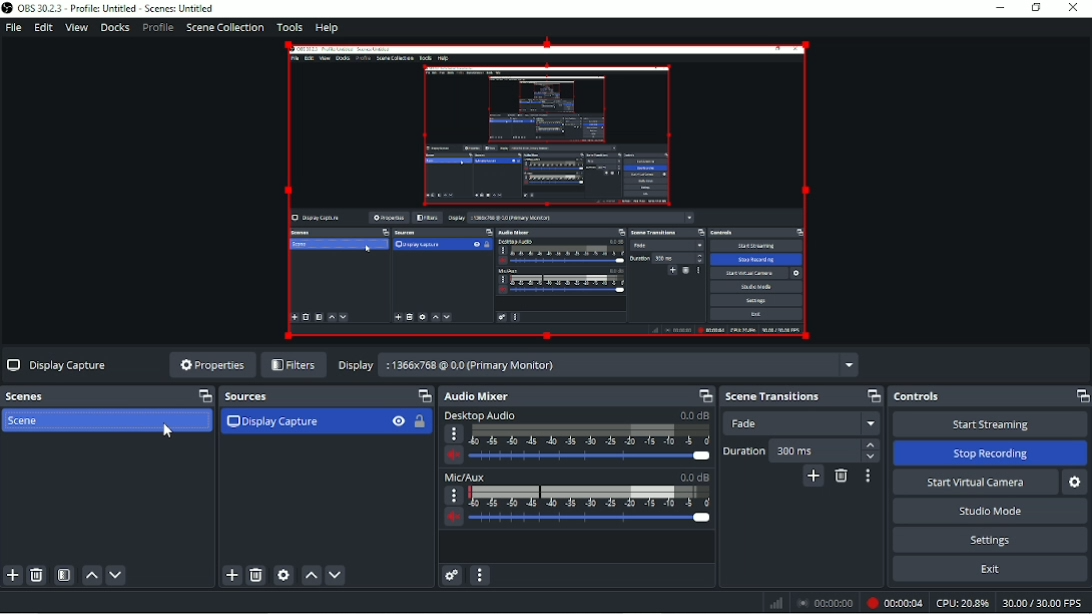 The image size is (1092, 614). I want to click on Help, so click(328, 28).